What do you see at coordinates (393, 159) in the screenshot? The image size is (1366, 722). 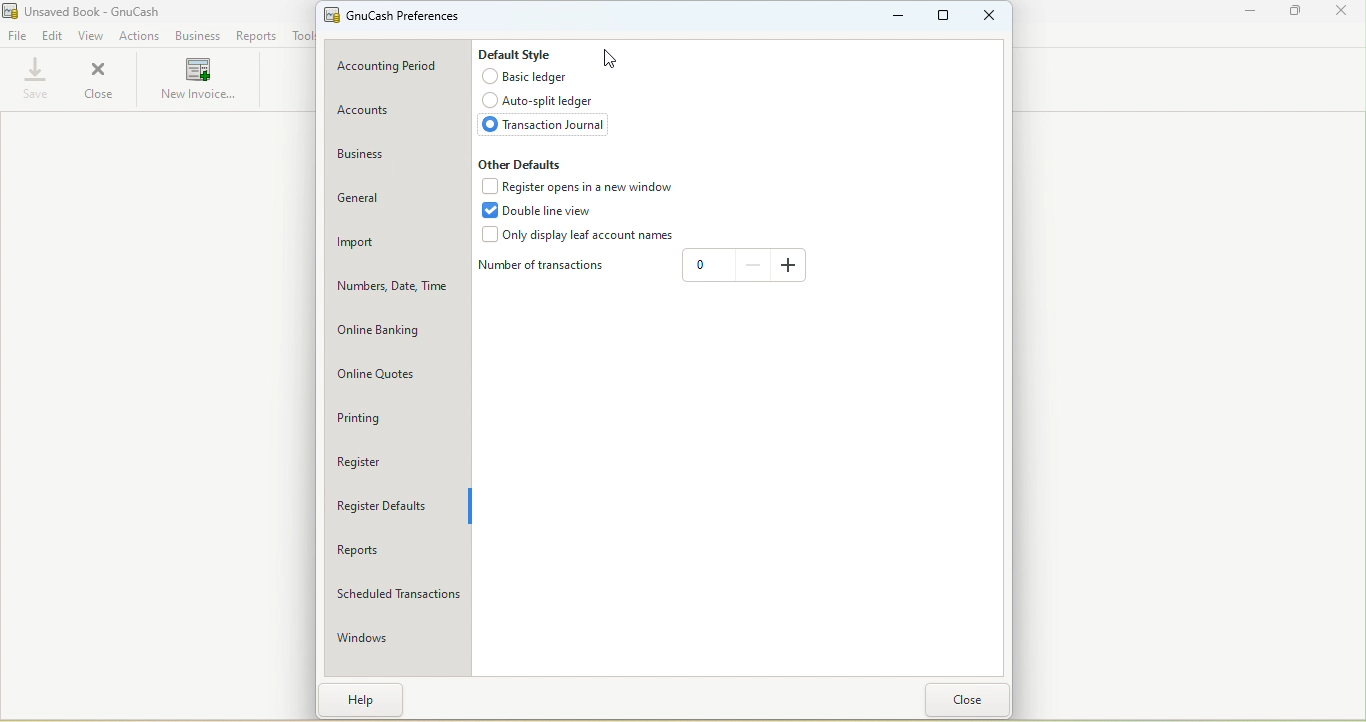 I see `Business` at bounding box center [393, 159].